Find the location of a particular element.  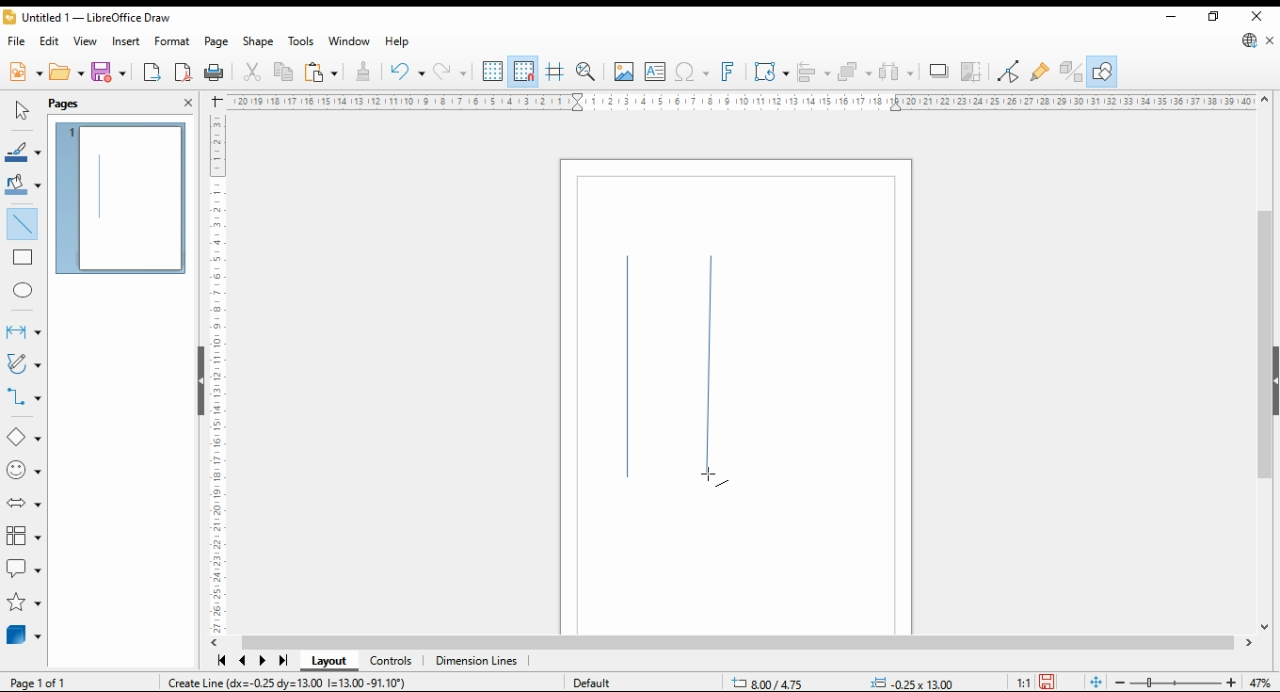

insert line is located at coordinates (26, 227).